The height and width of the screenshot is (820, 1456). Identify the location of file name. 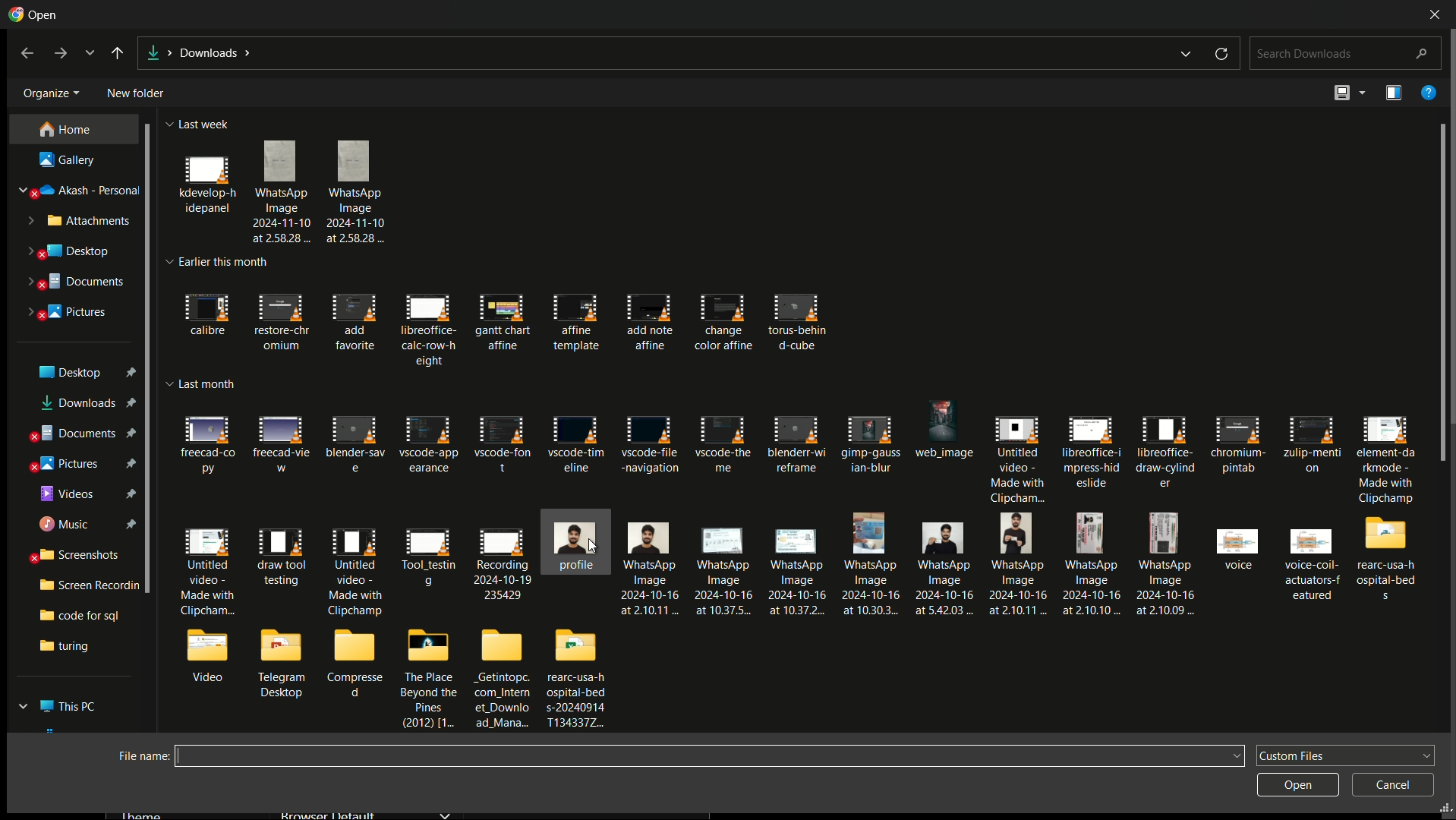
(144, 757).